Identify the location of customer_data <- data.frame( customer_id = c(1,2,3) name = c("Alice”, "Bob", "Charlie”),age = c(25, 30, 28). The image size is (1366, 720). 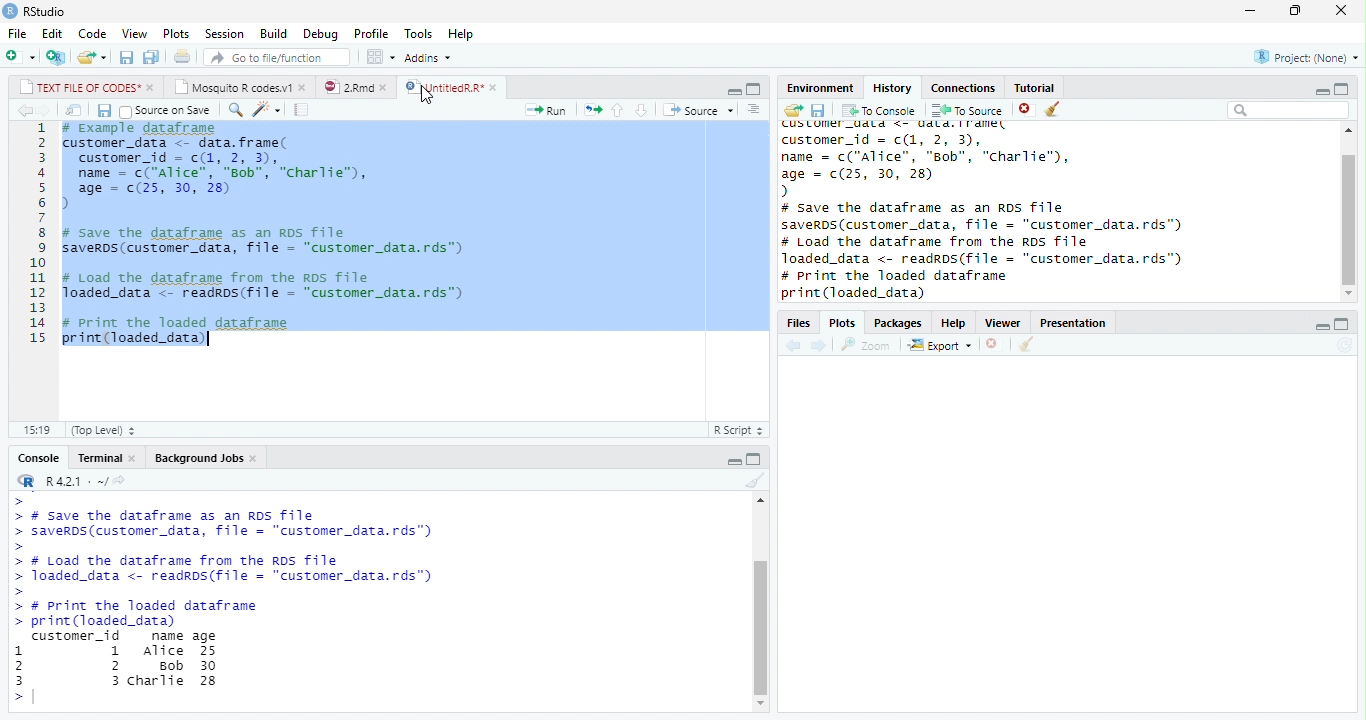
(932, 159).